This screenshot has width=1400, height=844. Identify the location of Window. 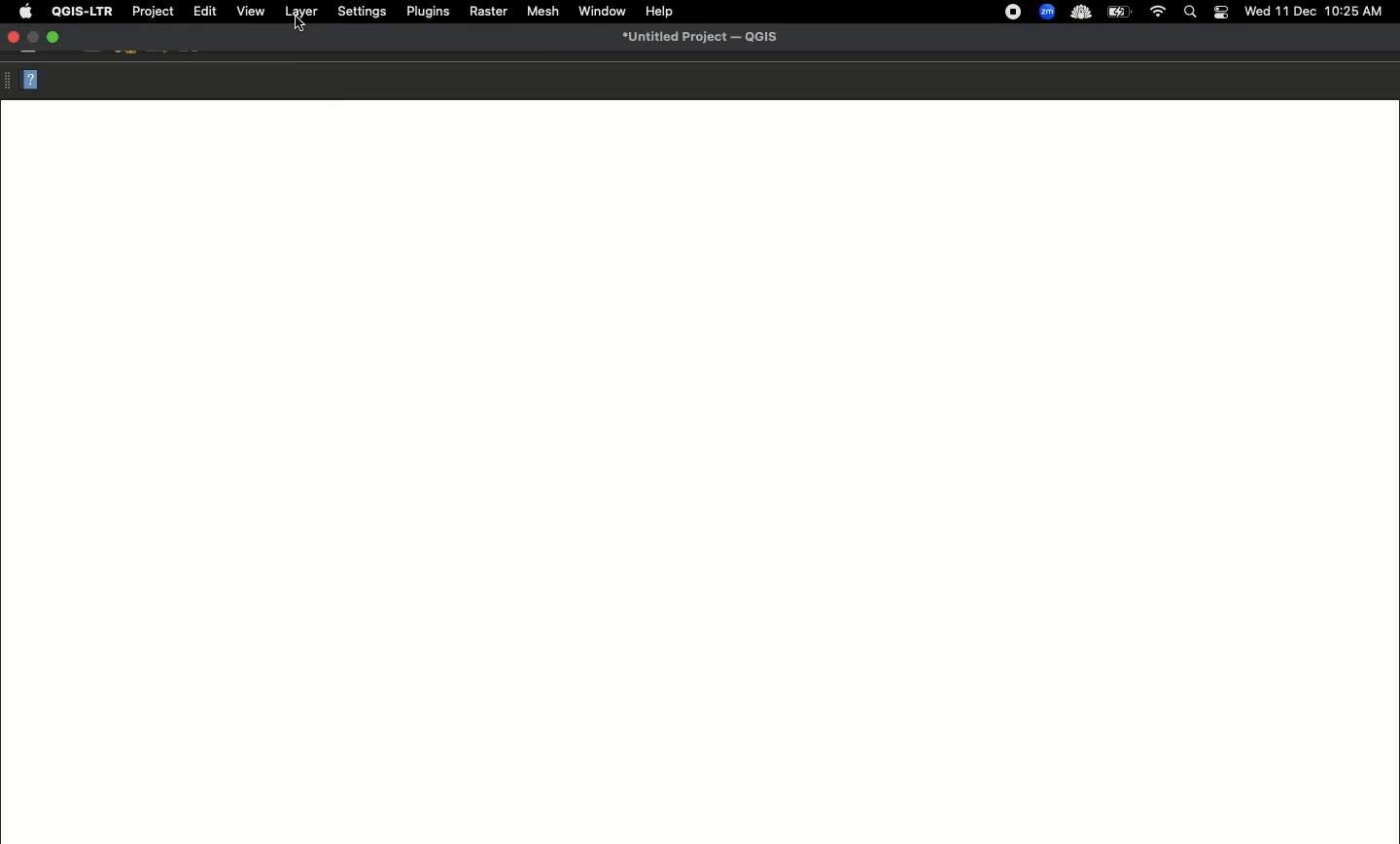
(599, 10).